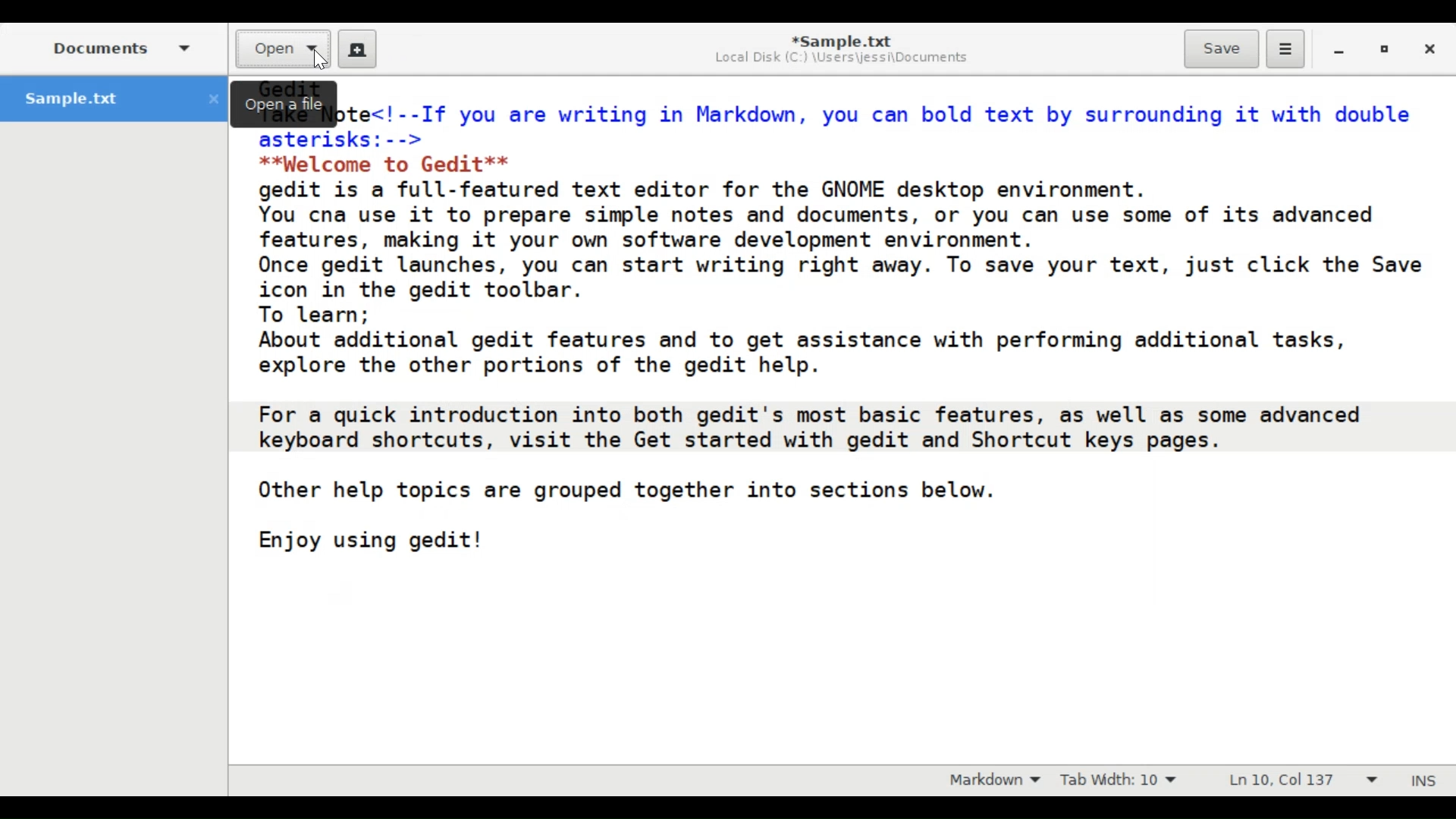  What do you see at coordinates (1301, 779) in the screenshot?
I see `Ln 10, Col 137` at bounding box center [1301, 779].